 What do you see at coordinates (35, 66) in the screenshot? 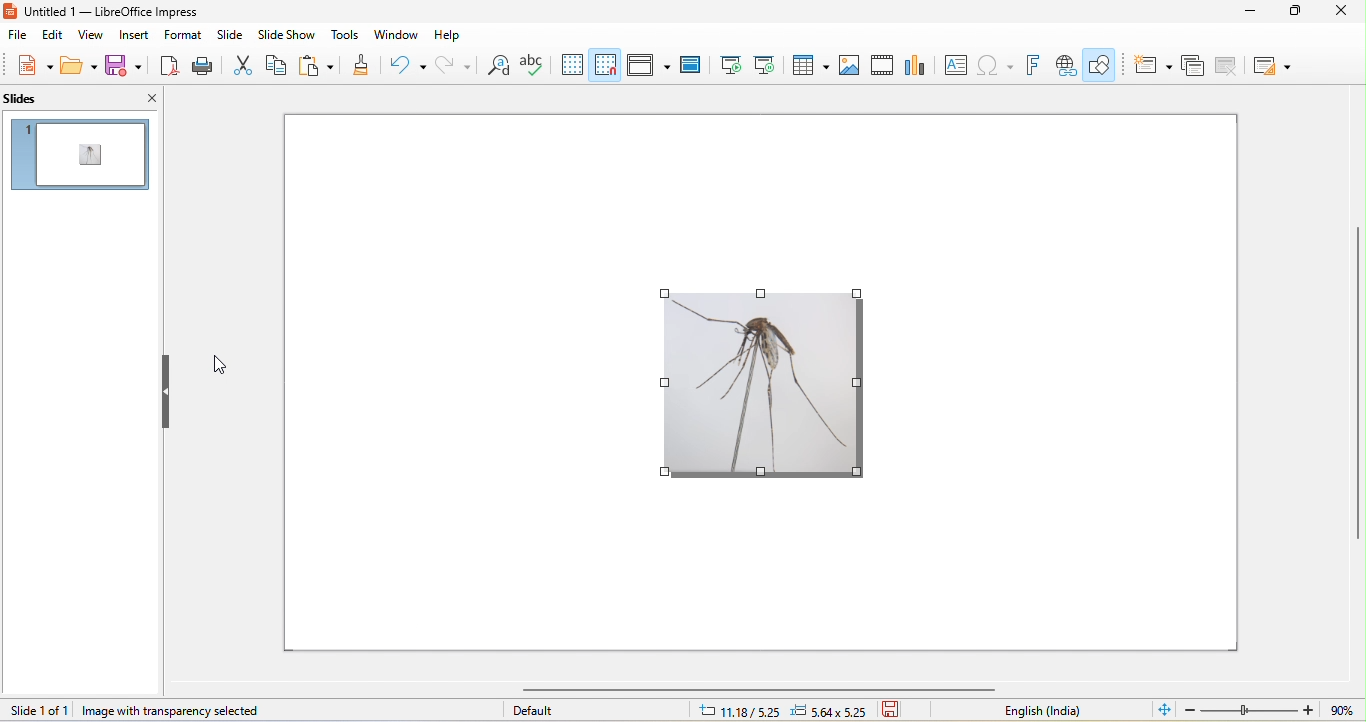
I see `new` at bounding box center [35, 66].